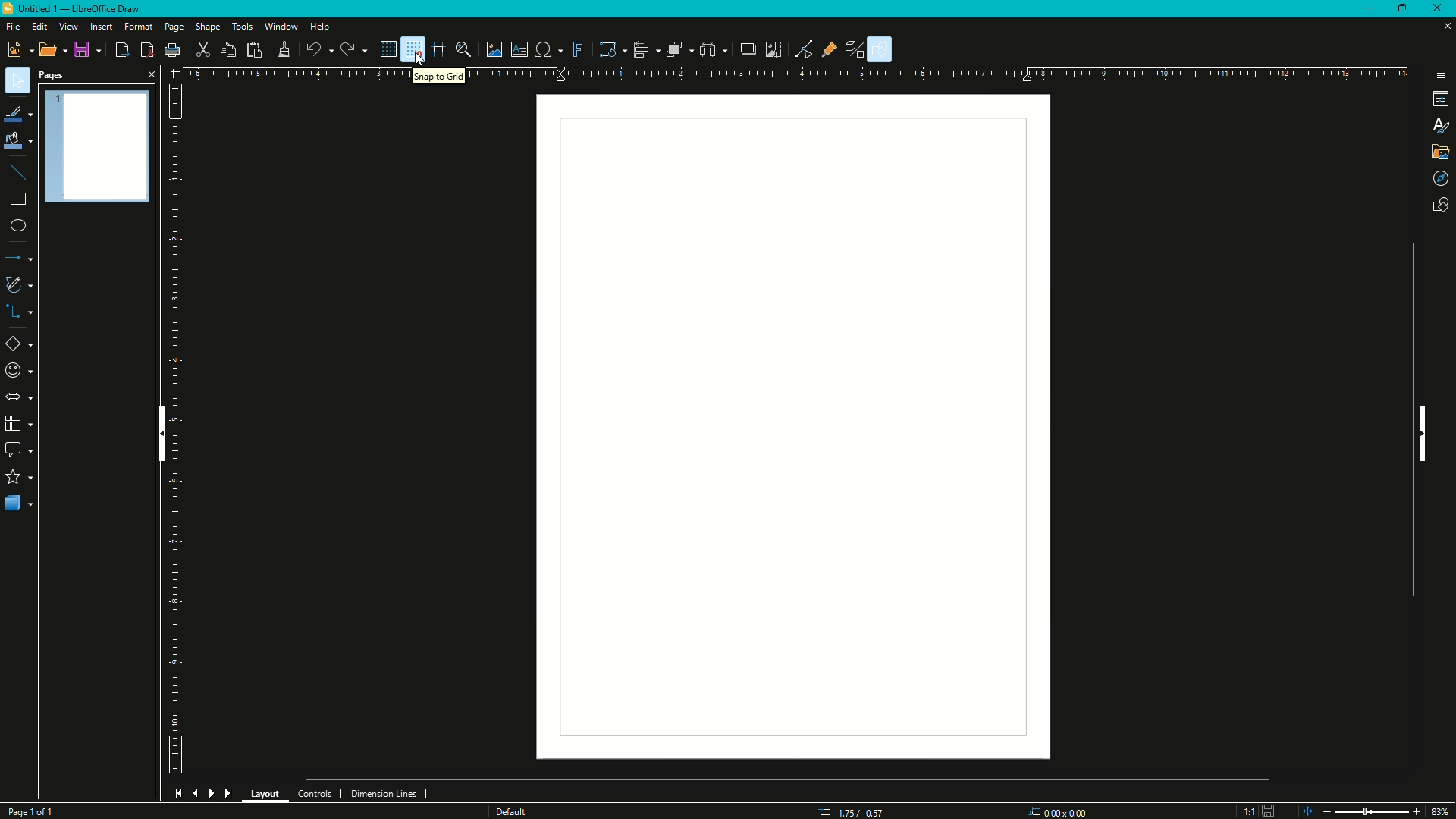 Image resolution: width=1456 pixels, height=819 pixels. Describe the element at coordinates (31, 256) in the screenshot. I see `Lines and arrows` at that location.